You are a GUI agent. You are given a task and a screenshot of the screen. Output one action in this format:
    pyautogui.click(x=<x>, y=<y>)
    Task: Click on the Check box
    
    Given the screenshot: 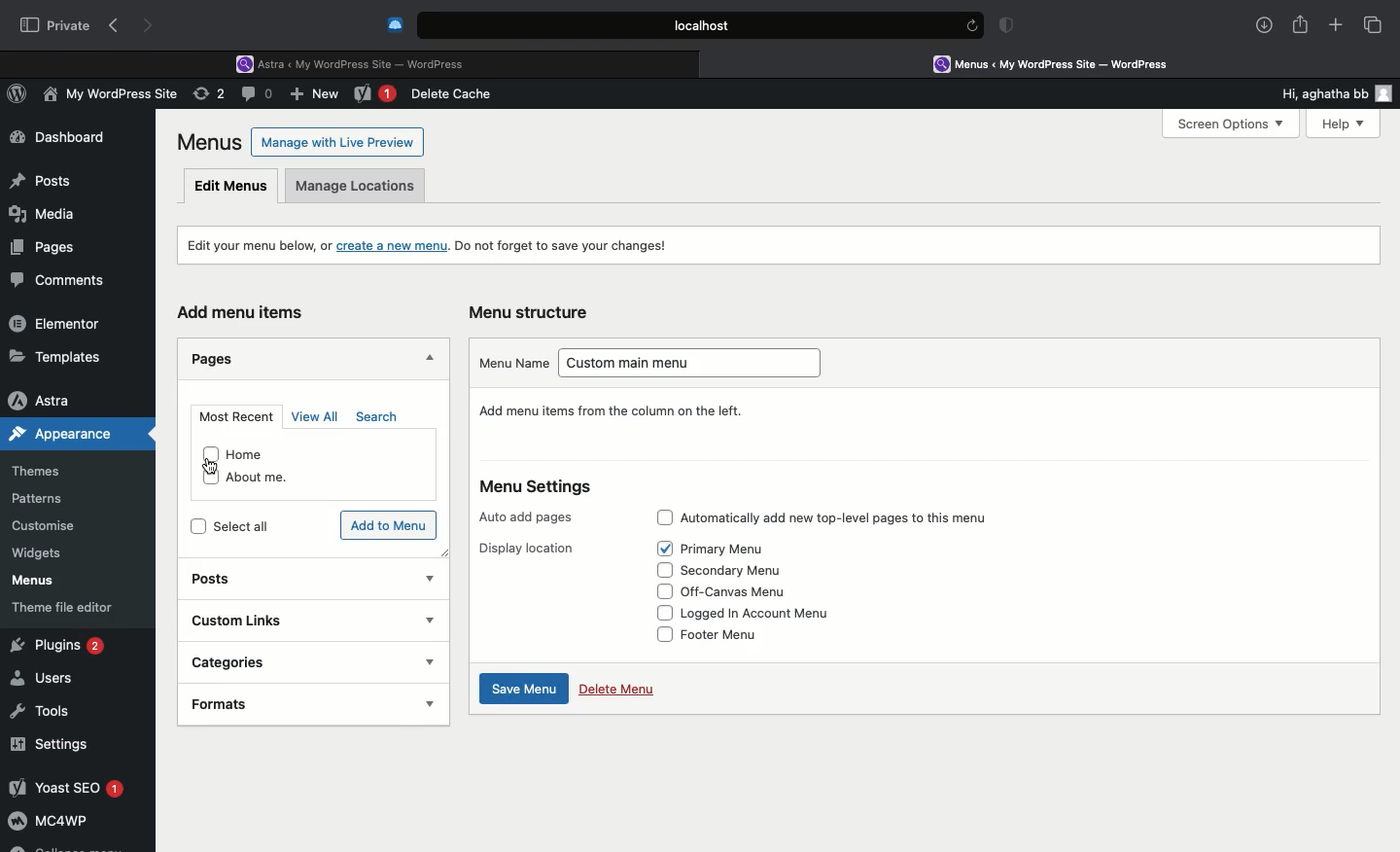 What is the action you would take?
    pyautogui.click(x=664, y=515)
    